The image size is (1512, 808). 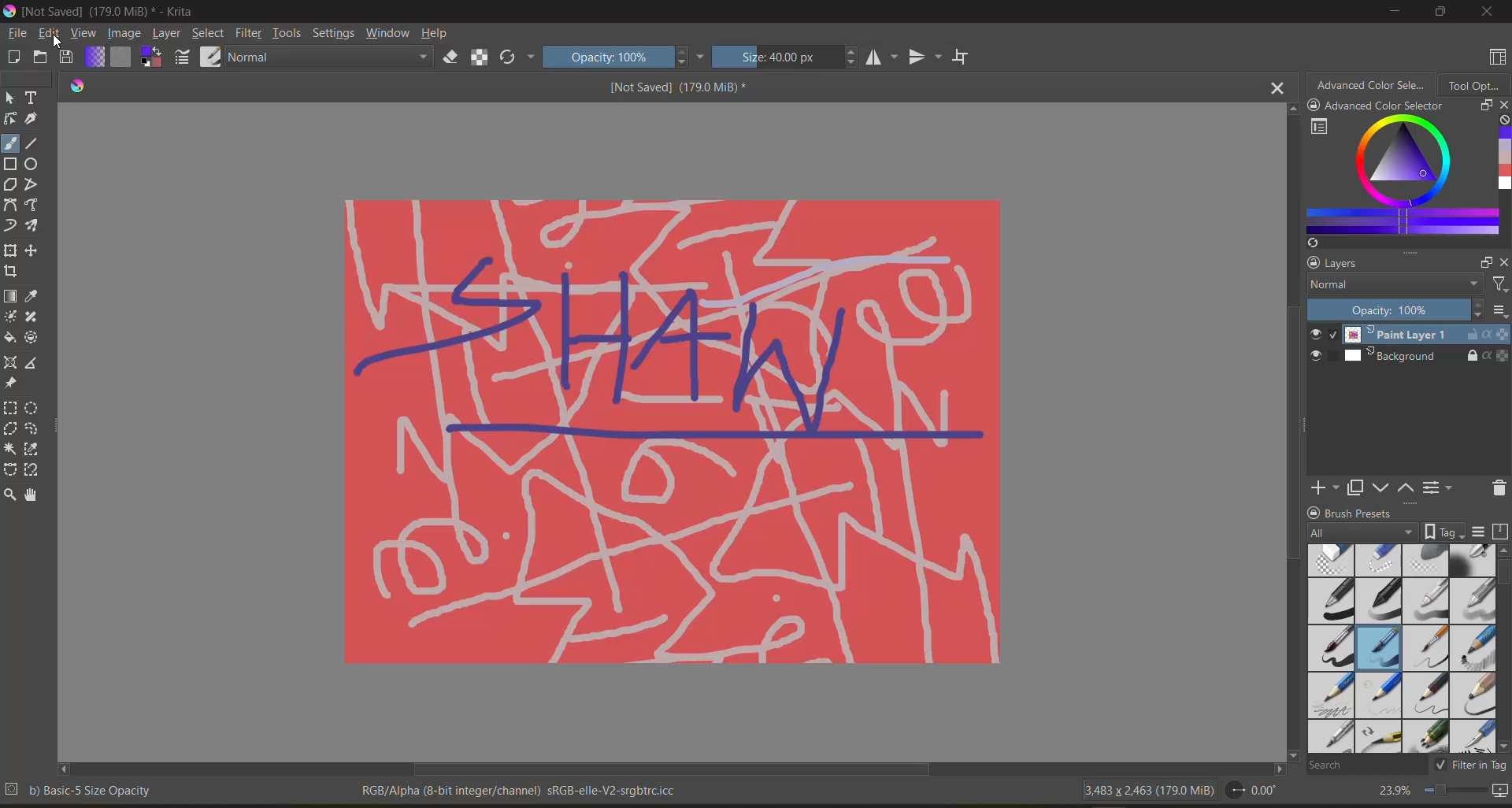 I want to click on opacity: 100%, so click(x=624, y=57).